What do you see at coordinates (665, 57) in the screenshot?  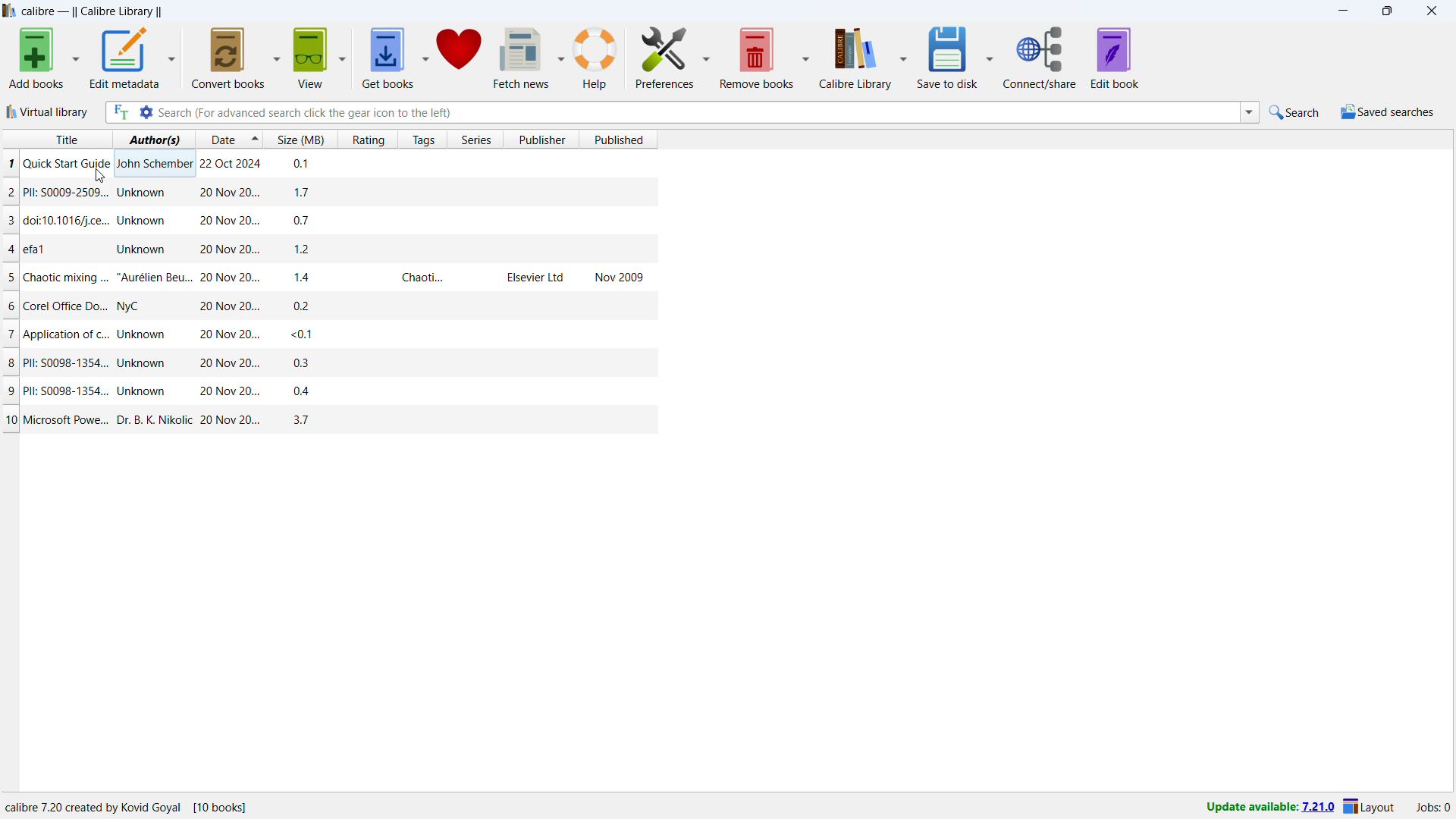 I see `preferences` at bounding box center [665, 57].